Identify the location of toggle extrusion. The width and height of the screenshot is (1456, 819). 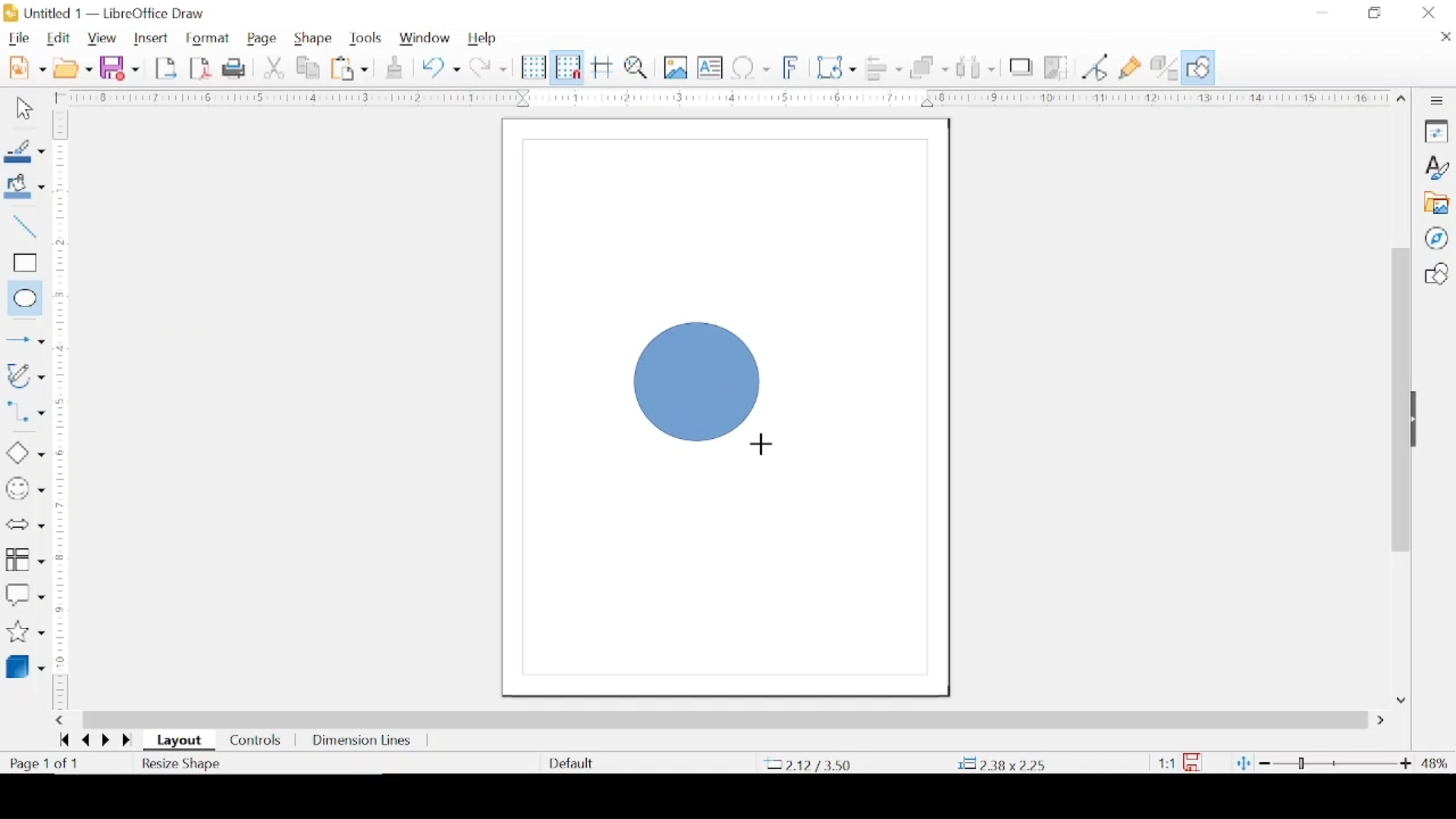
(1165, 67).